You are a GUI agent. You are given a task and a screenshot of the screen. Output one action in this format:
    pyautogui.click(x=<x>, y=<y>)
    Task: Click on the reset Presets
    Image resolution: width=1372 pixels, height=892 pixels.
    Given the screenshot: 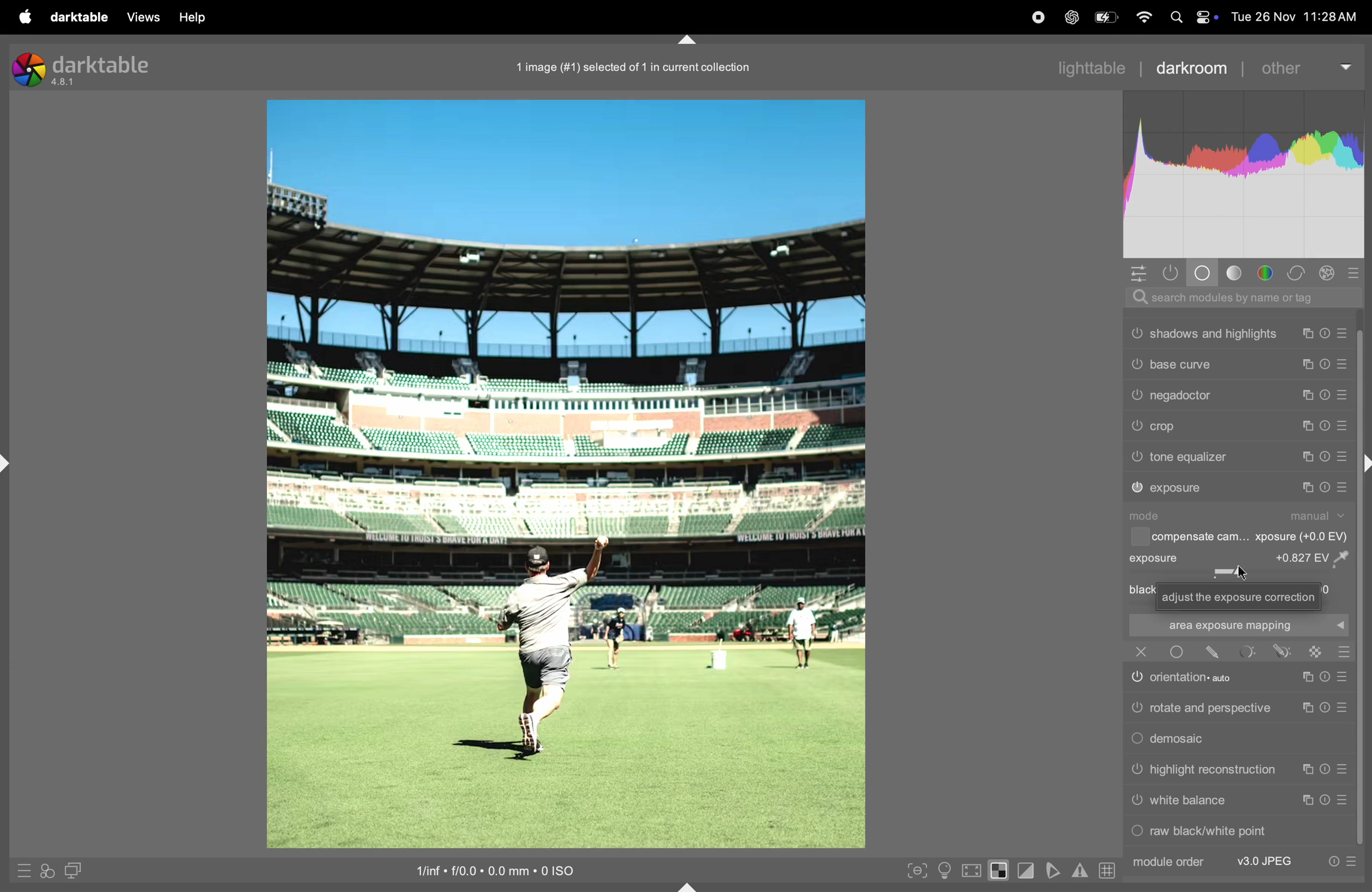 What is the action you would take?
    pyautogui.click(x=1332, y=862)
    